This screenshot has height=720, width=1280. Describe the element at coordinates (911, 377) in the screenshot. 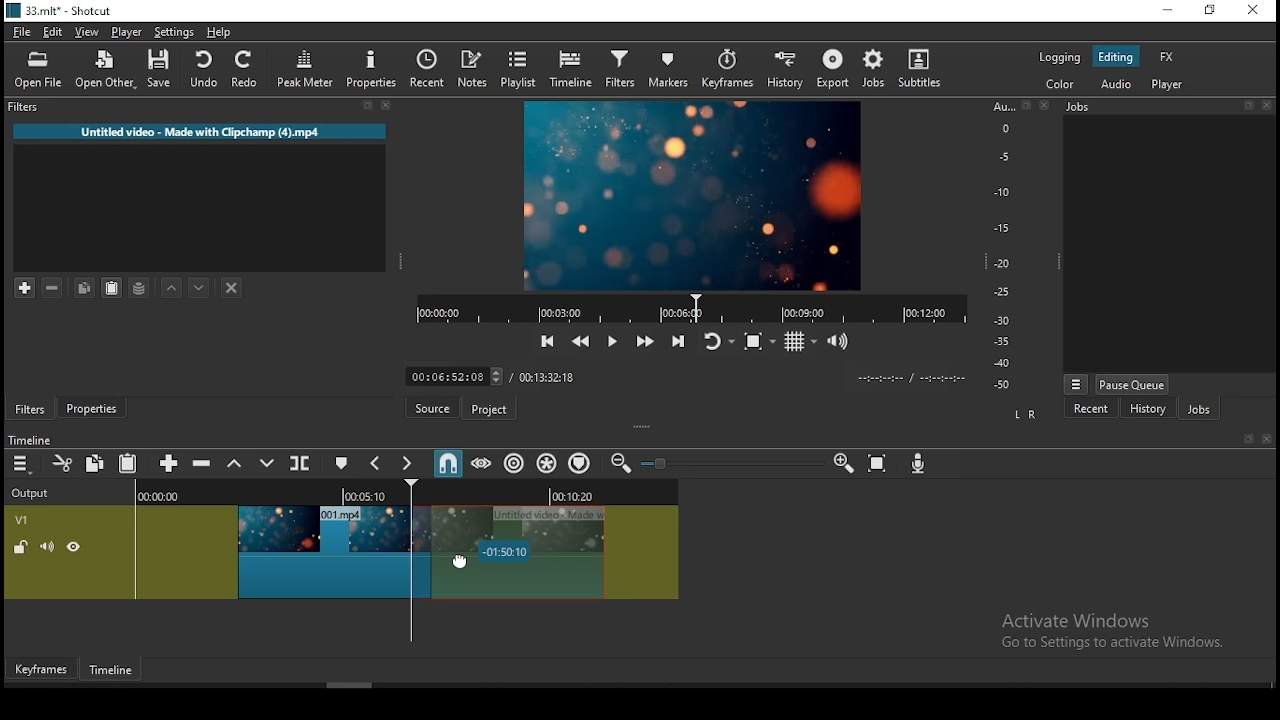

I see `time format` at that location.